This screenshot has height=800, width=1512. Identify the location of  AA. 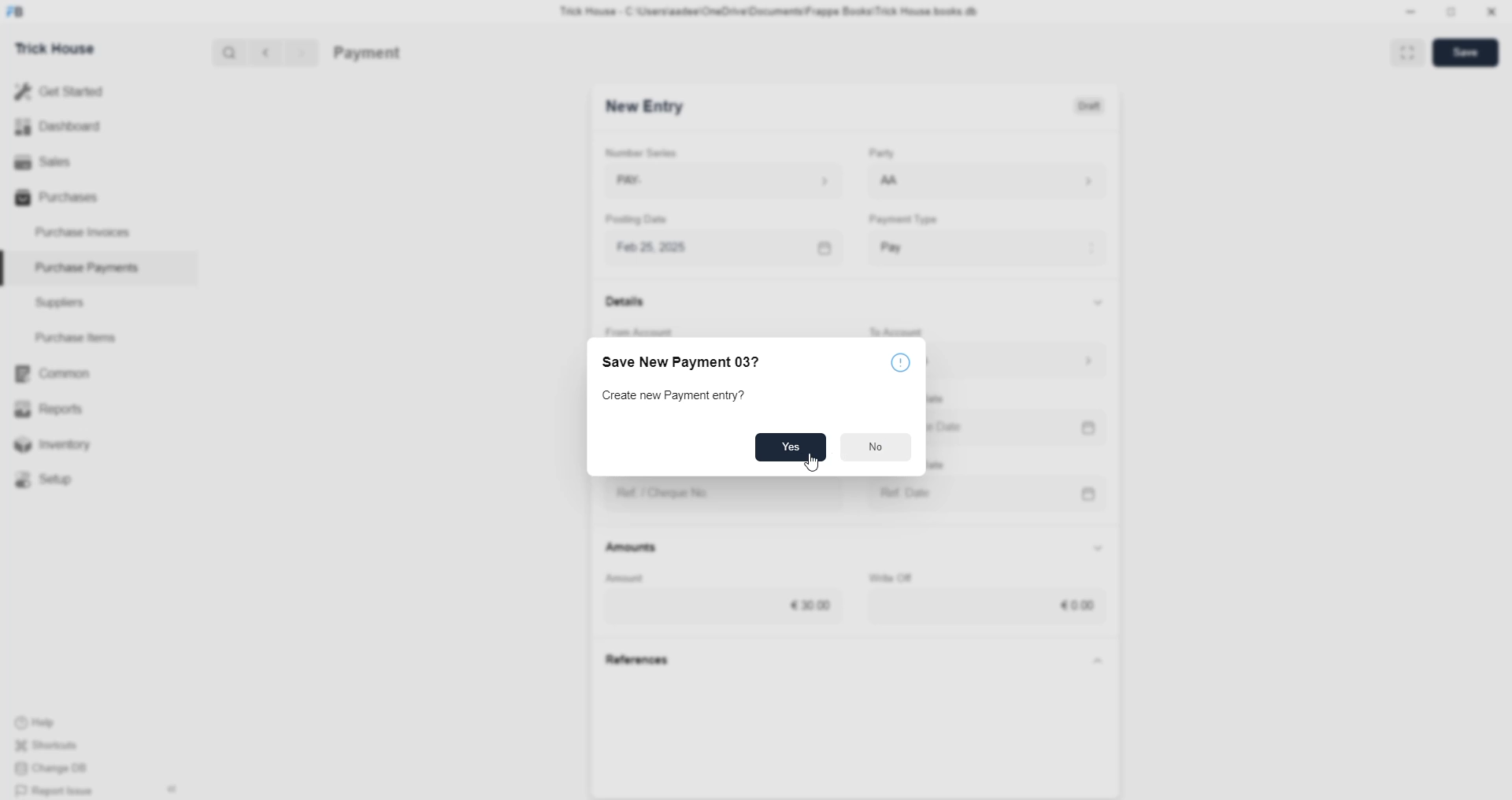
(890, 182).